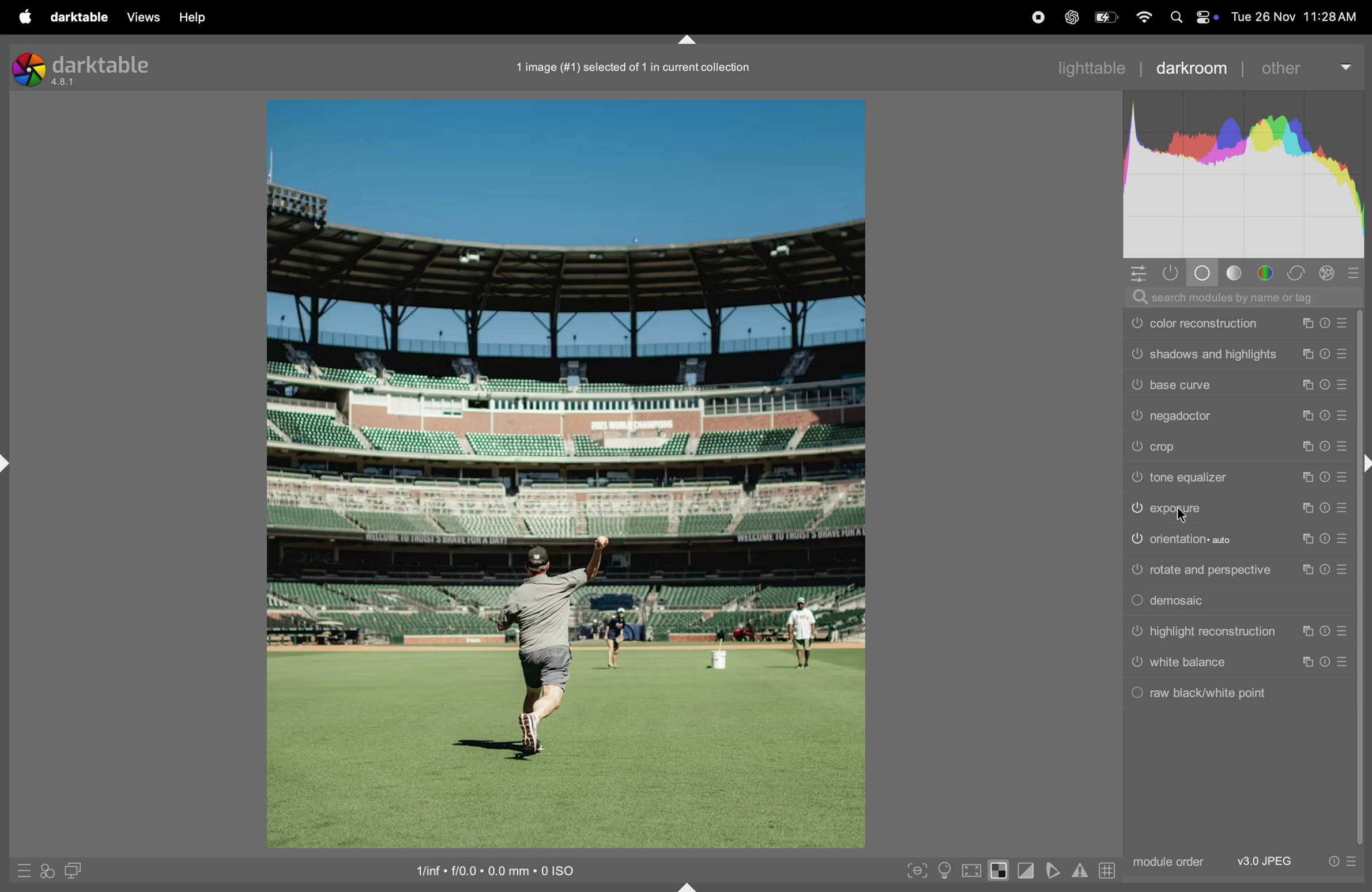  I want to click on color reconstruction, so click(1204, 325).